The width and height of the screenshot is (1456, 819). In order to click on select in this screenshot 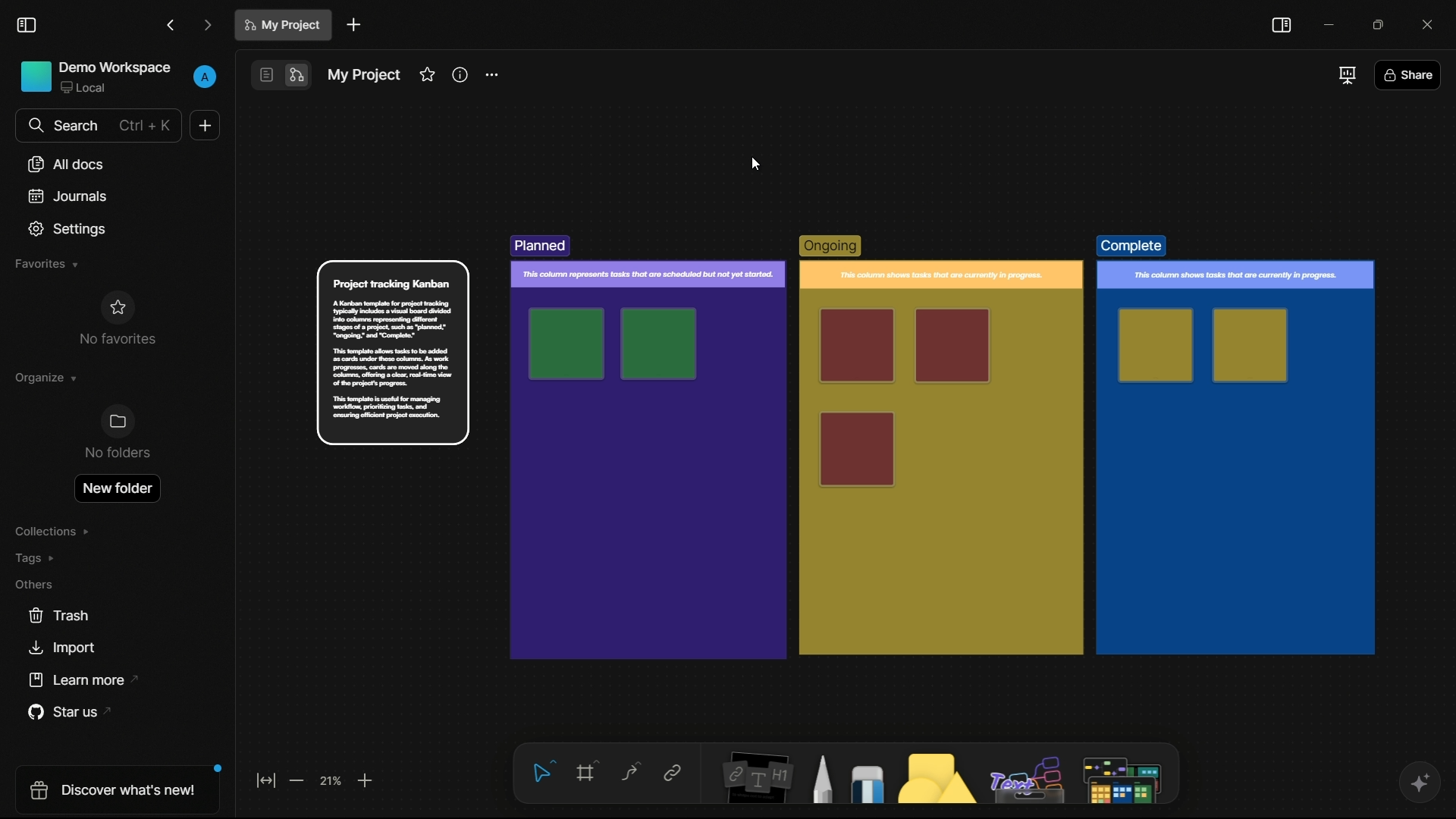, I will do `click(541, 770)`.